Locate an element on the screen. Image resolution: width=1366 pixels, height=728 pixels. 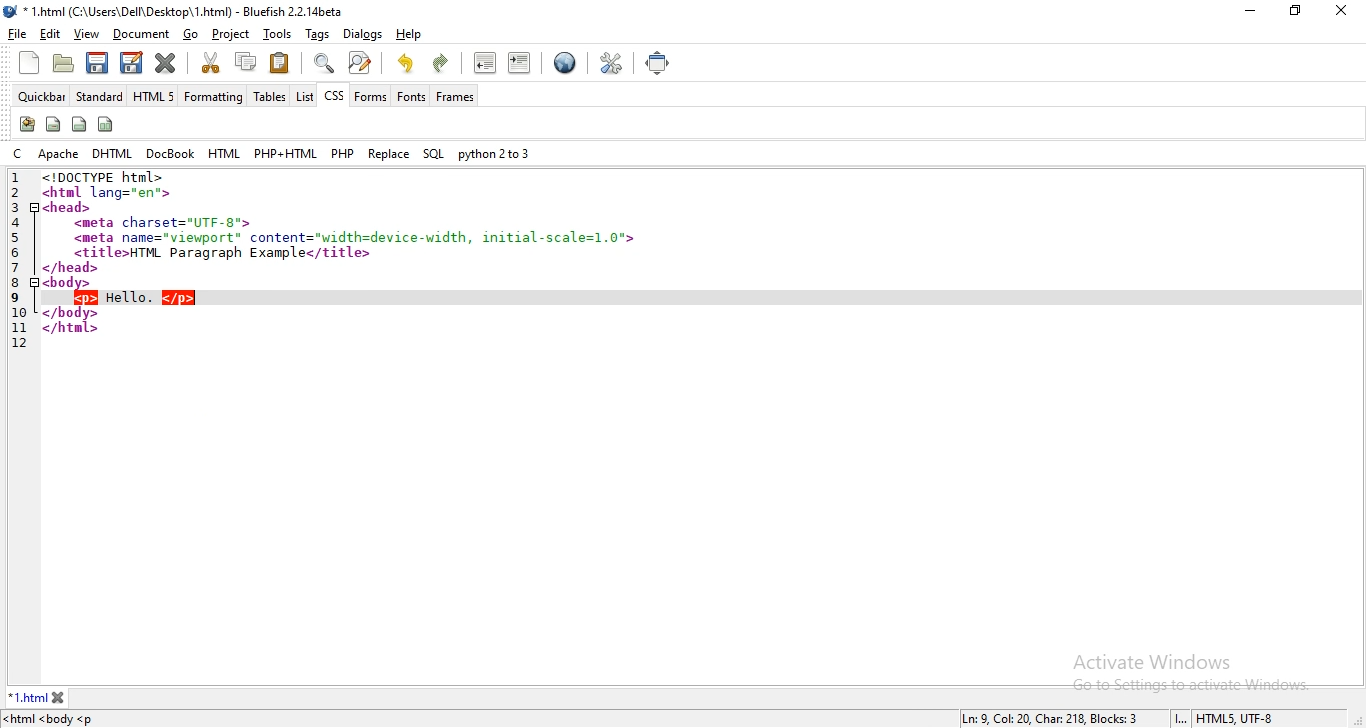
line numbers utilised from 1 to 12 is located at coordinates (19, 259).